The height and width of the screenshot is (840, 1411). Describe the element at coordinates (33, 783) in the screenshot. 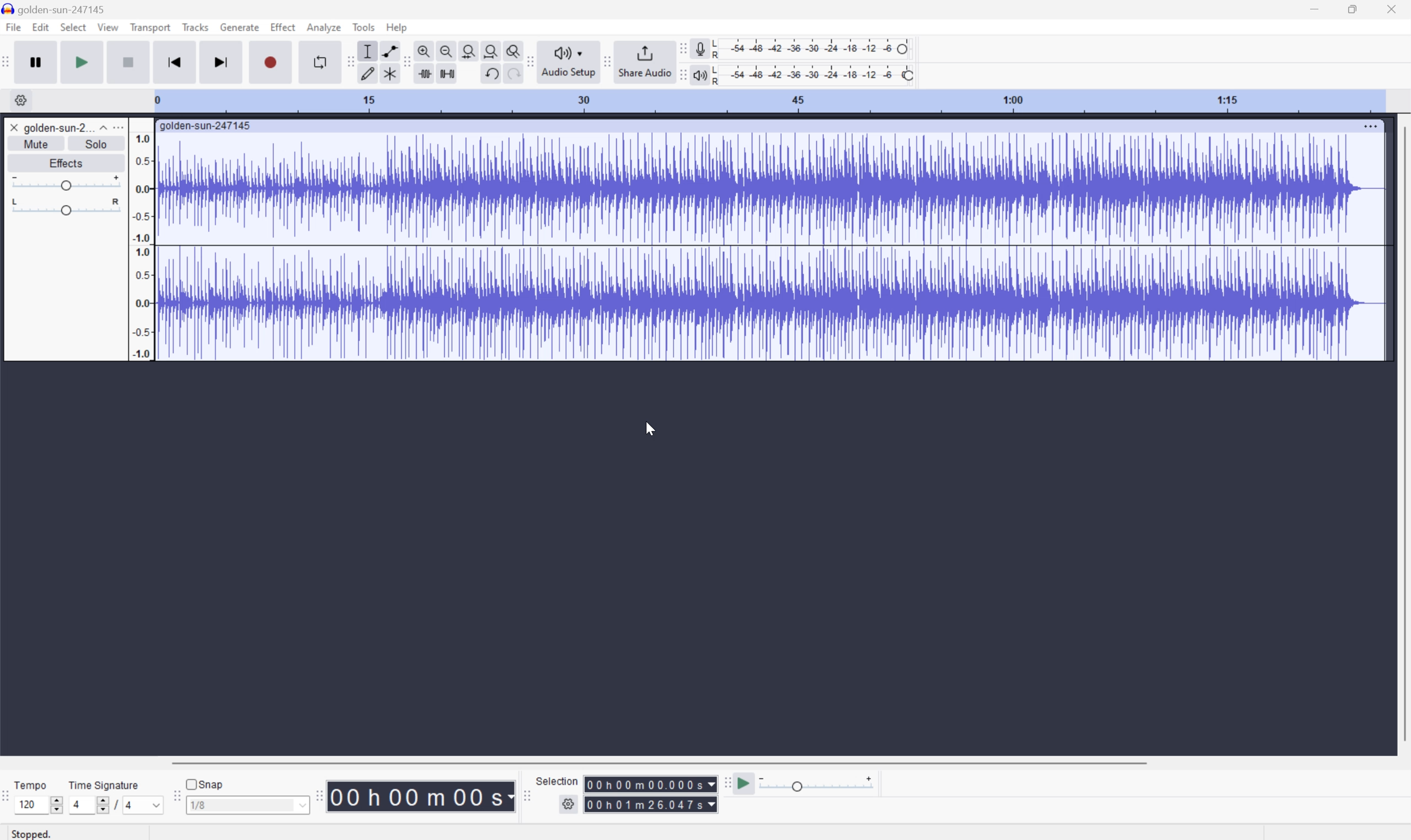

I see `Tempo` at that location.